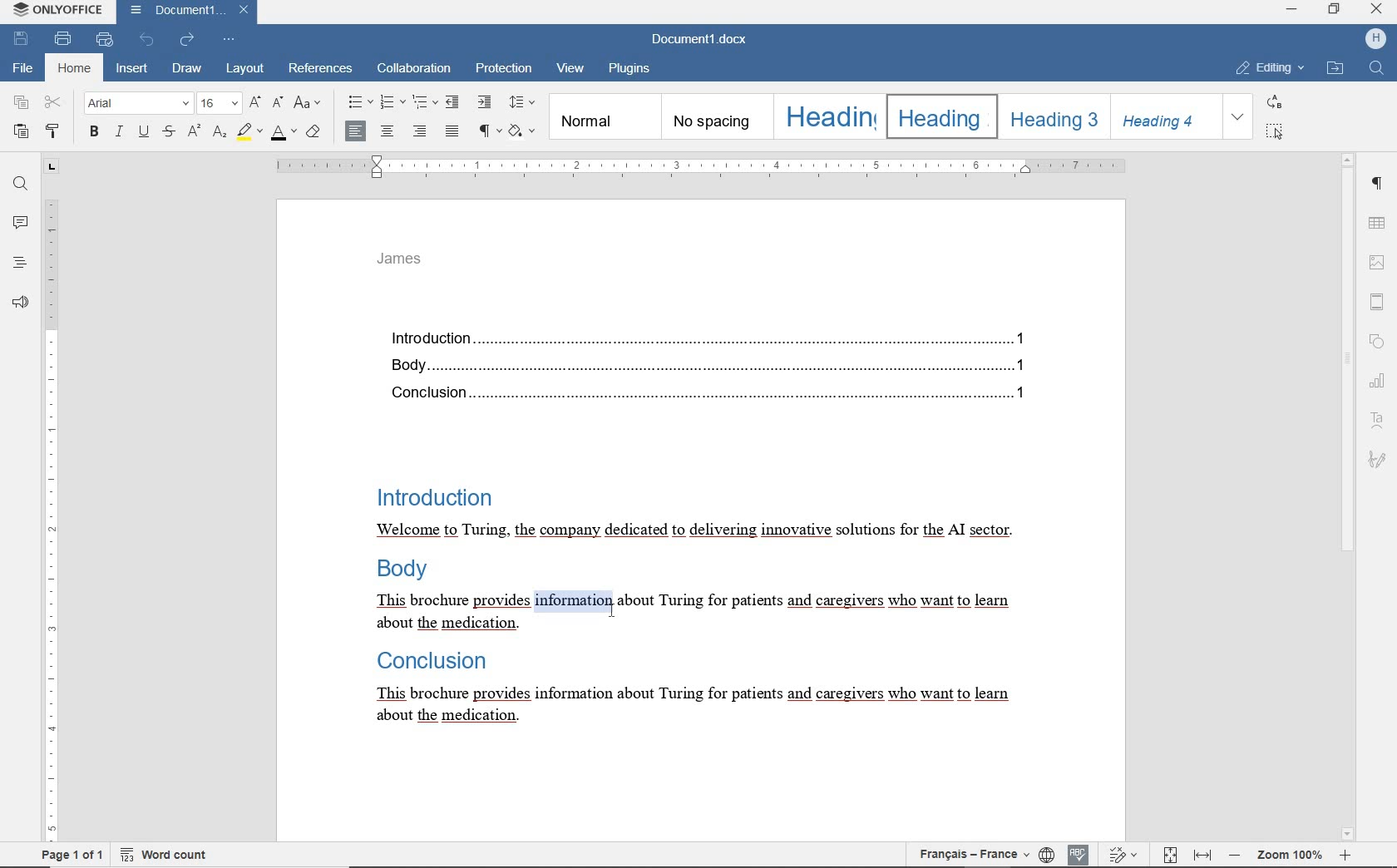 The image size is (1397, 868). I want to click on Conclusion, so click(427, 662).